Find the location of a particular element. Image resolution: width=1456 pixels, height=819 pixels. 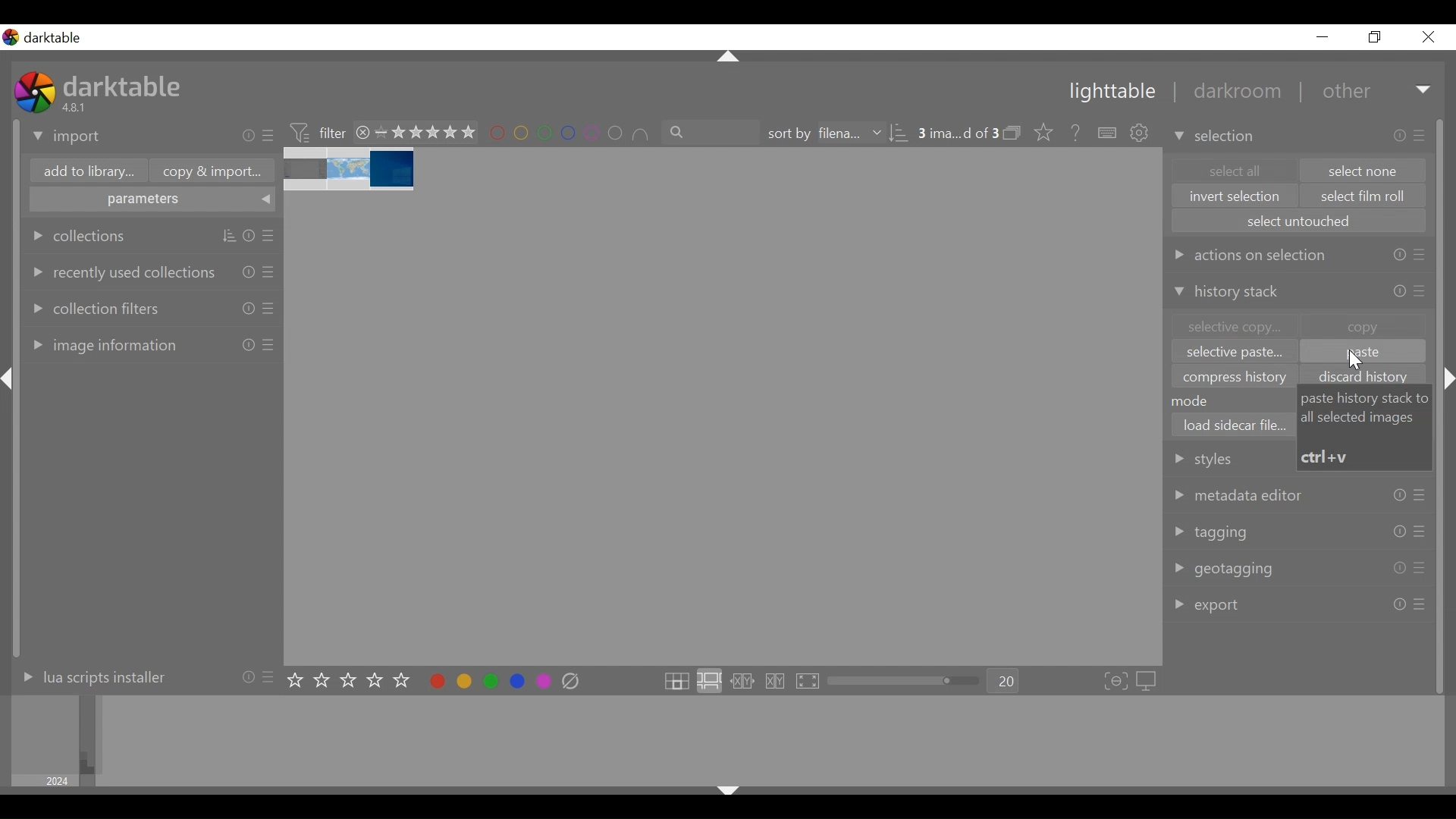

lua scripts installer is located at coordinates (90, 676).